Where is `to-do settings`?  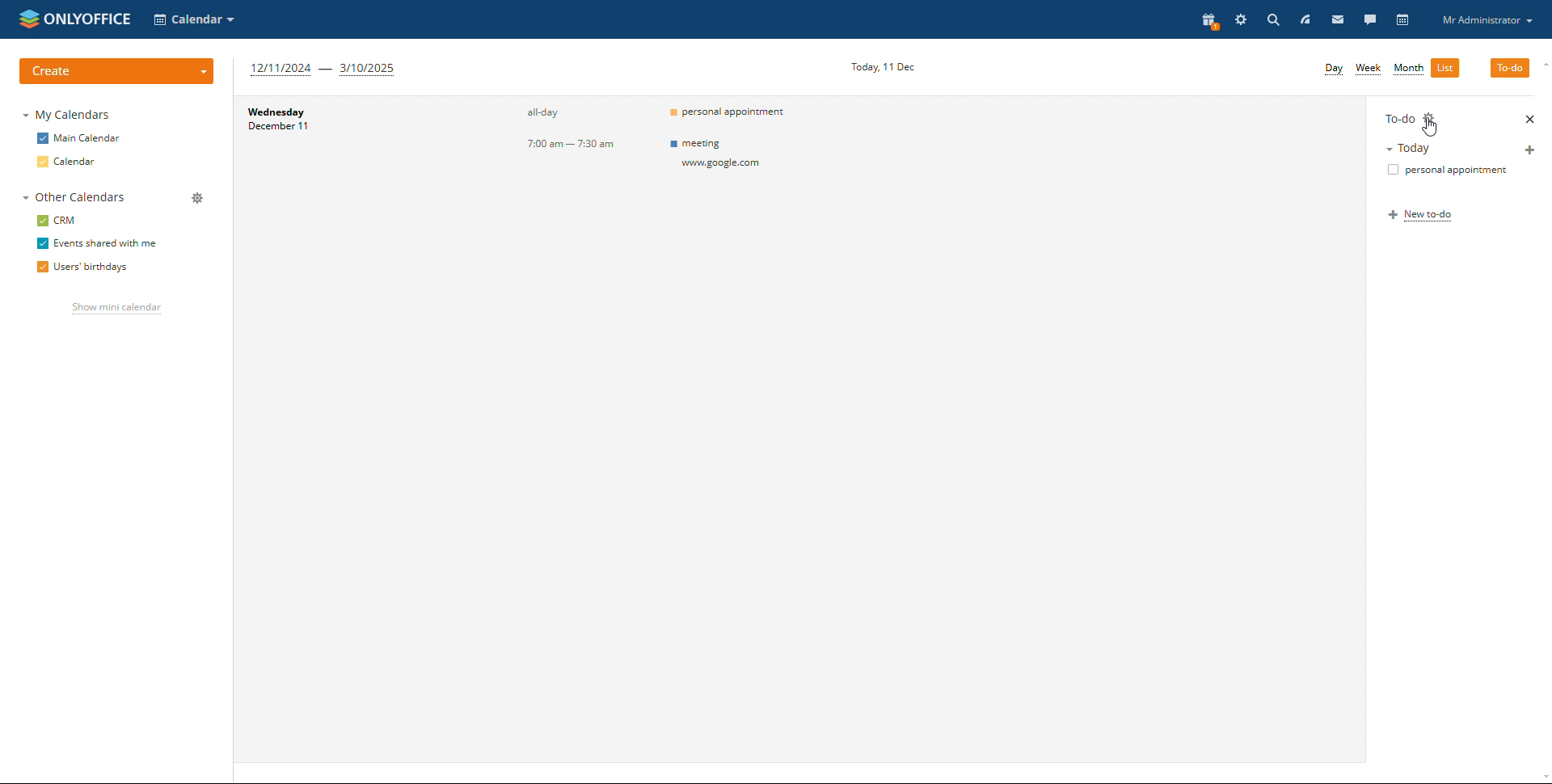 to-do settings is located at coordinates (1432, 117).